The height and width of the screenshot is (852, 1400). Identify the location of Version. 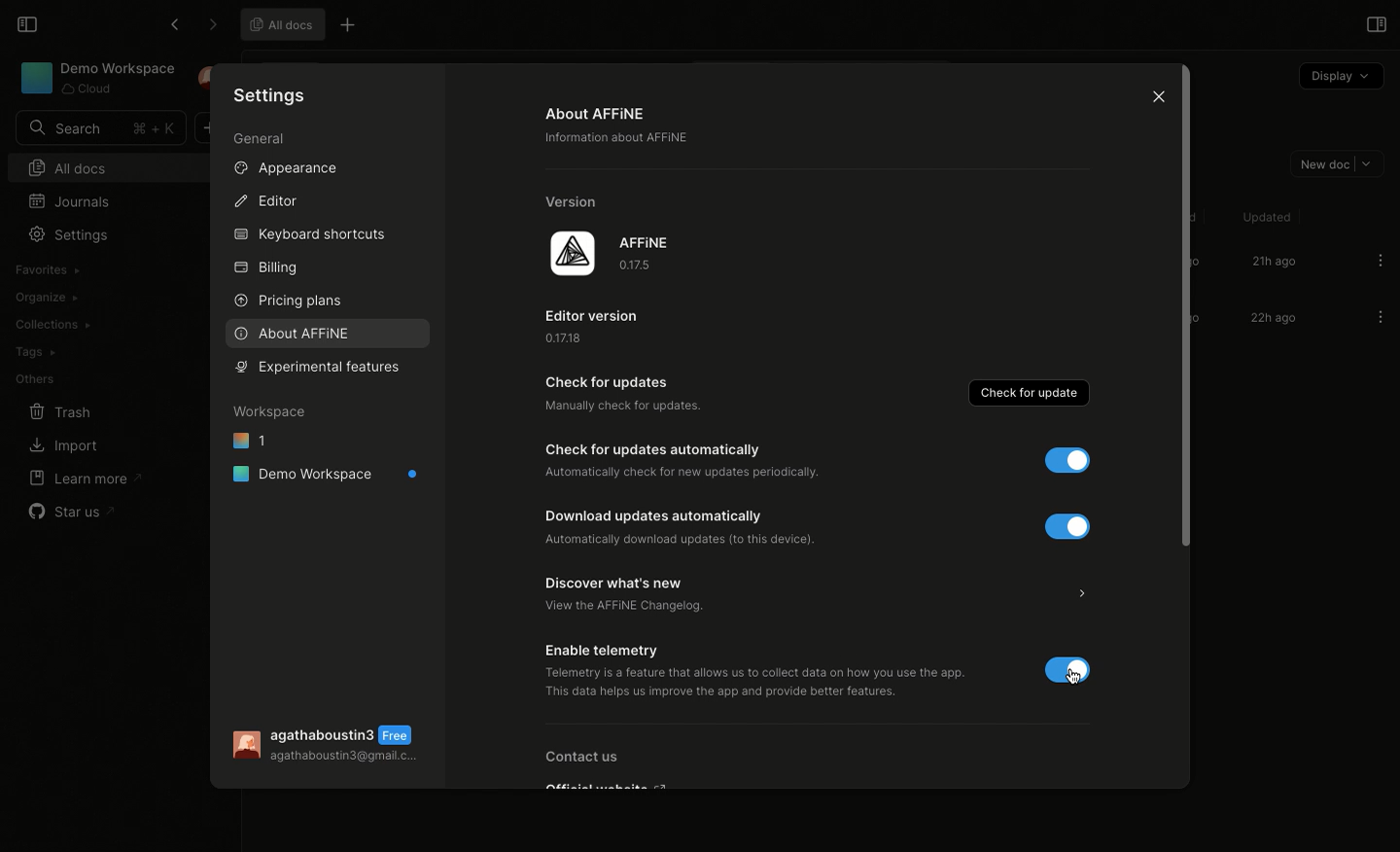
(577, 201).